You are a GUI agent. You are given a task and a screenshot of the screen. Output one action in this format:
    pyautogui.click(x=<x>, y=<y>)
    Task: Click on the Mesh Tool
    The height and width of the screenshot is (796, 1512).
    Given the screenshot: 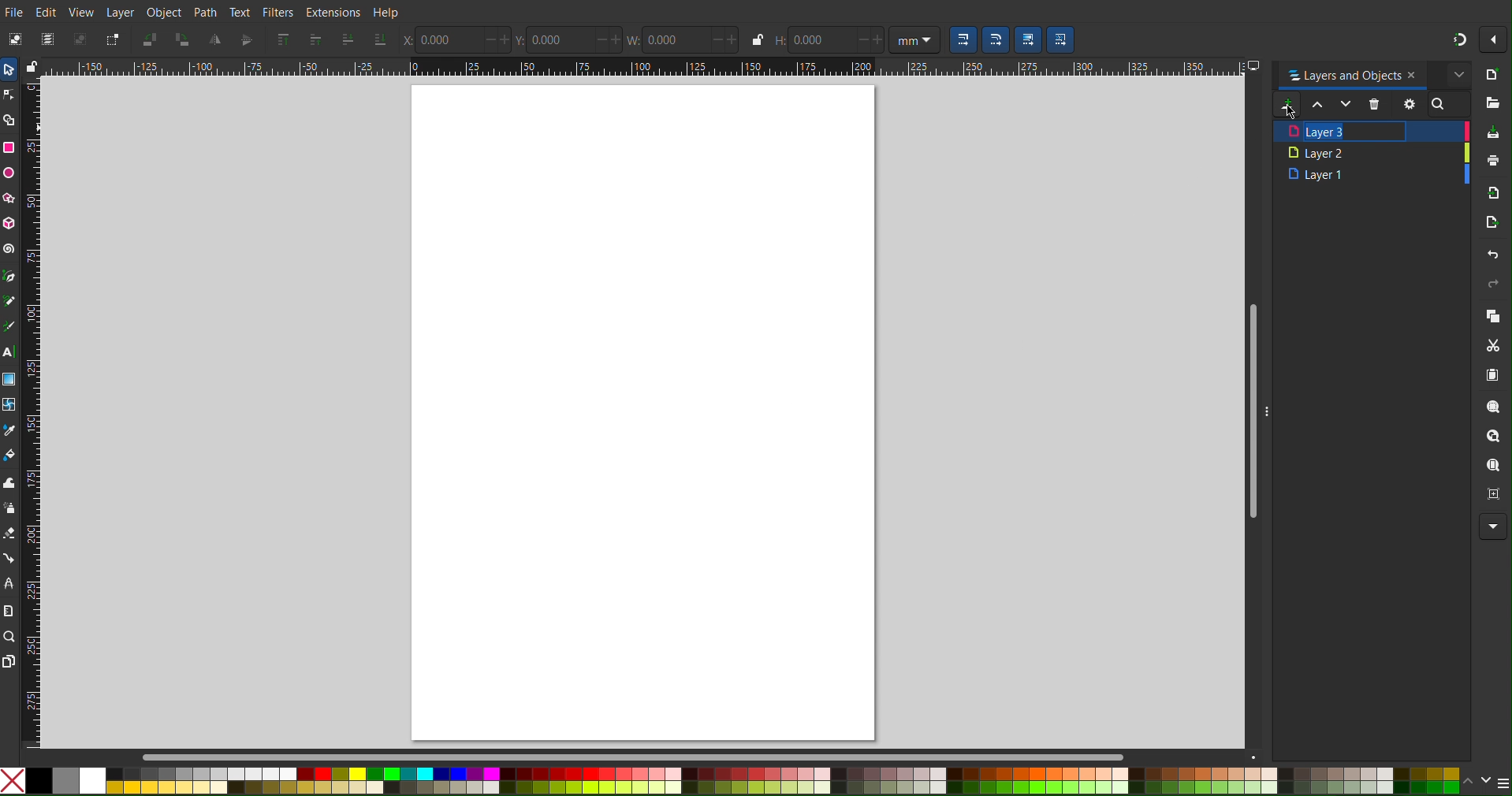 What is the action you would take?
    pyautogui.click(x=11, y=402)
    